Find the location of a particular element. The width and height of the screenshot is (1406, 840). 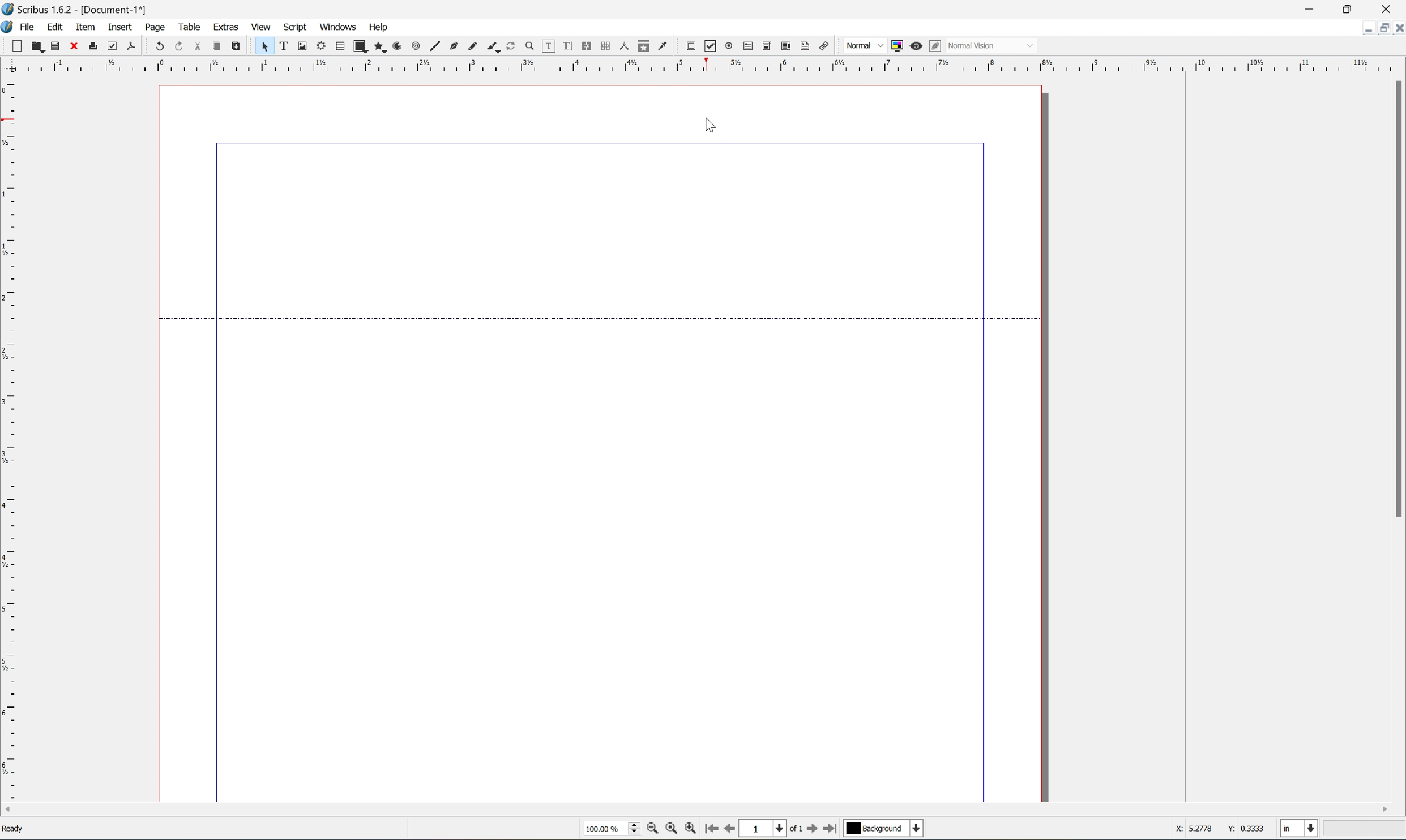

copy item annotation is located at coordinates (645, 48).